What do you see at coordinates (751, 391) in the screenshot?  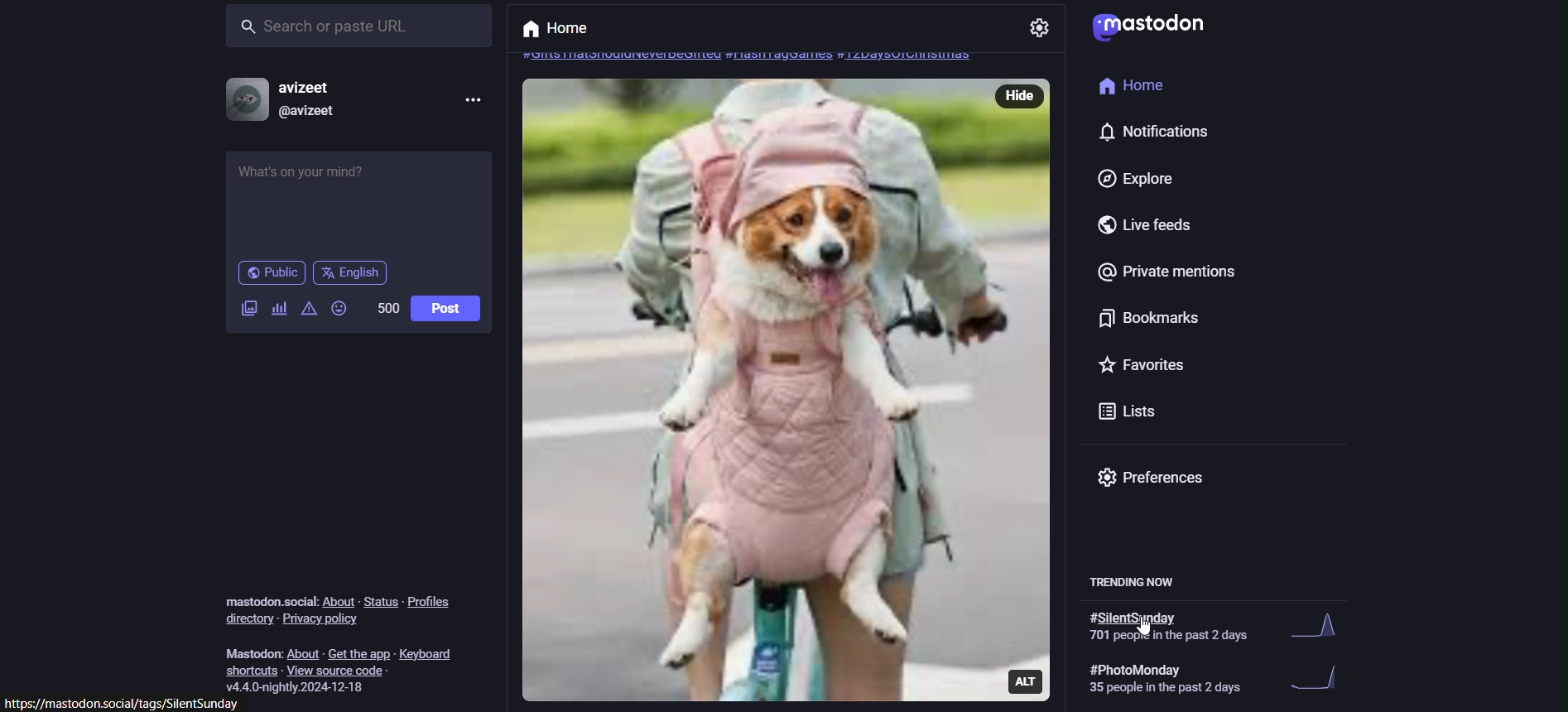 I see `Post with photo` at bounding box center [751, 391].